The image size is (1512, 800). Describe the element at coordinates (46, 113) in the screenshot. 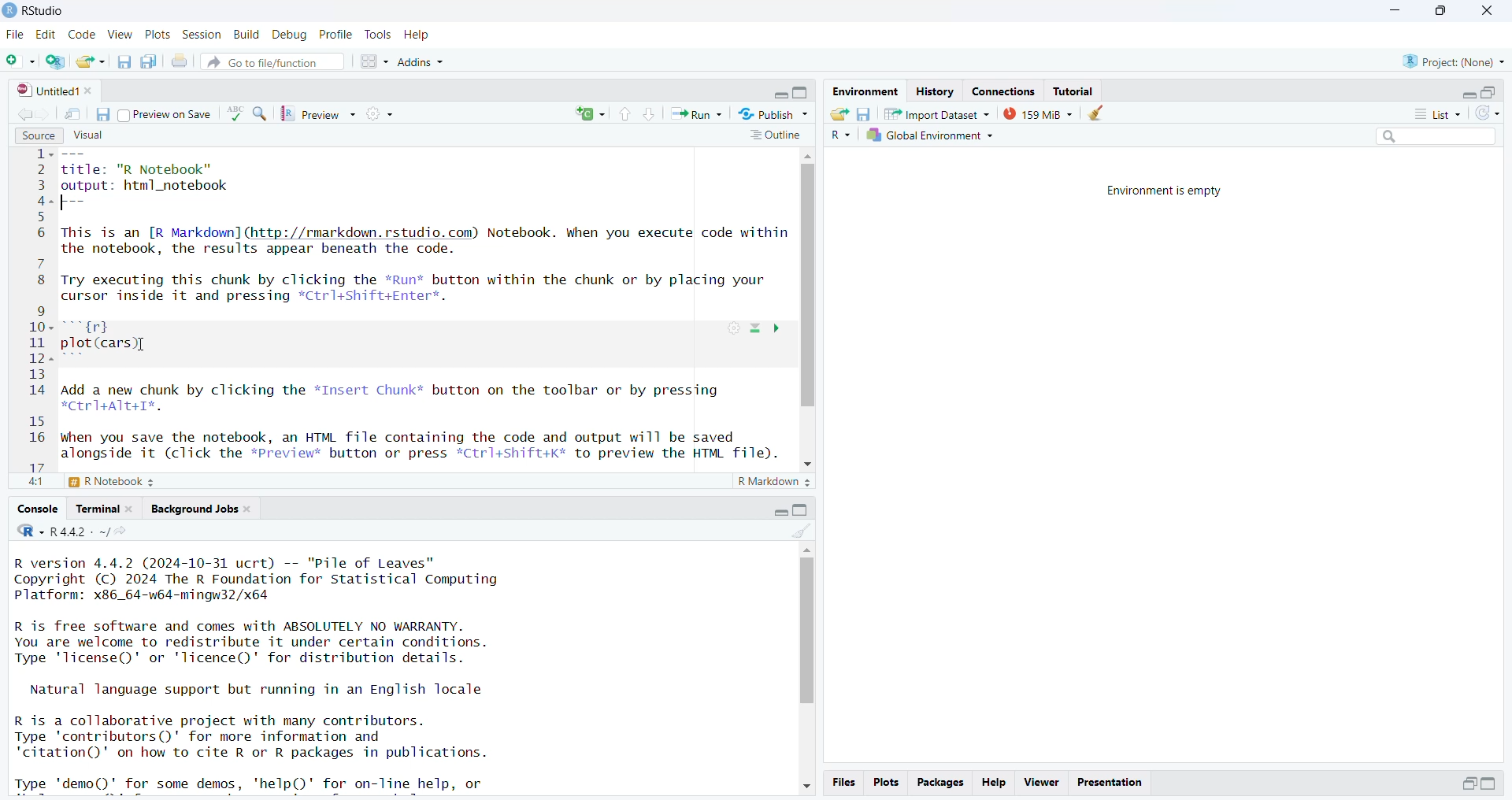

I see `go forward` at that location.